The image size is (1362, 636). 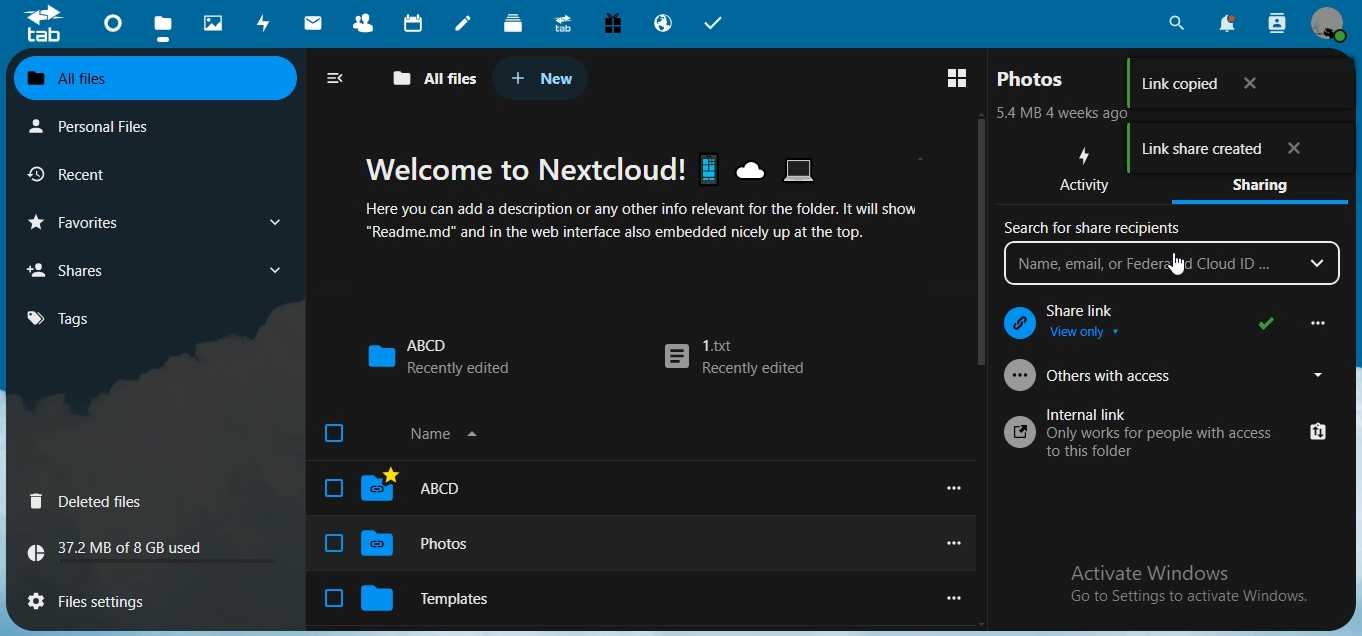 What do you see at coordinates (70, 318) in the screenshot?
I see `tags` at bounding box center [70, 318].